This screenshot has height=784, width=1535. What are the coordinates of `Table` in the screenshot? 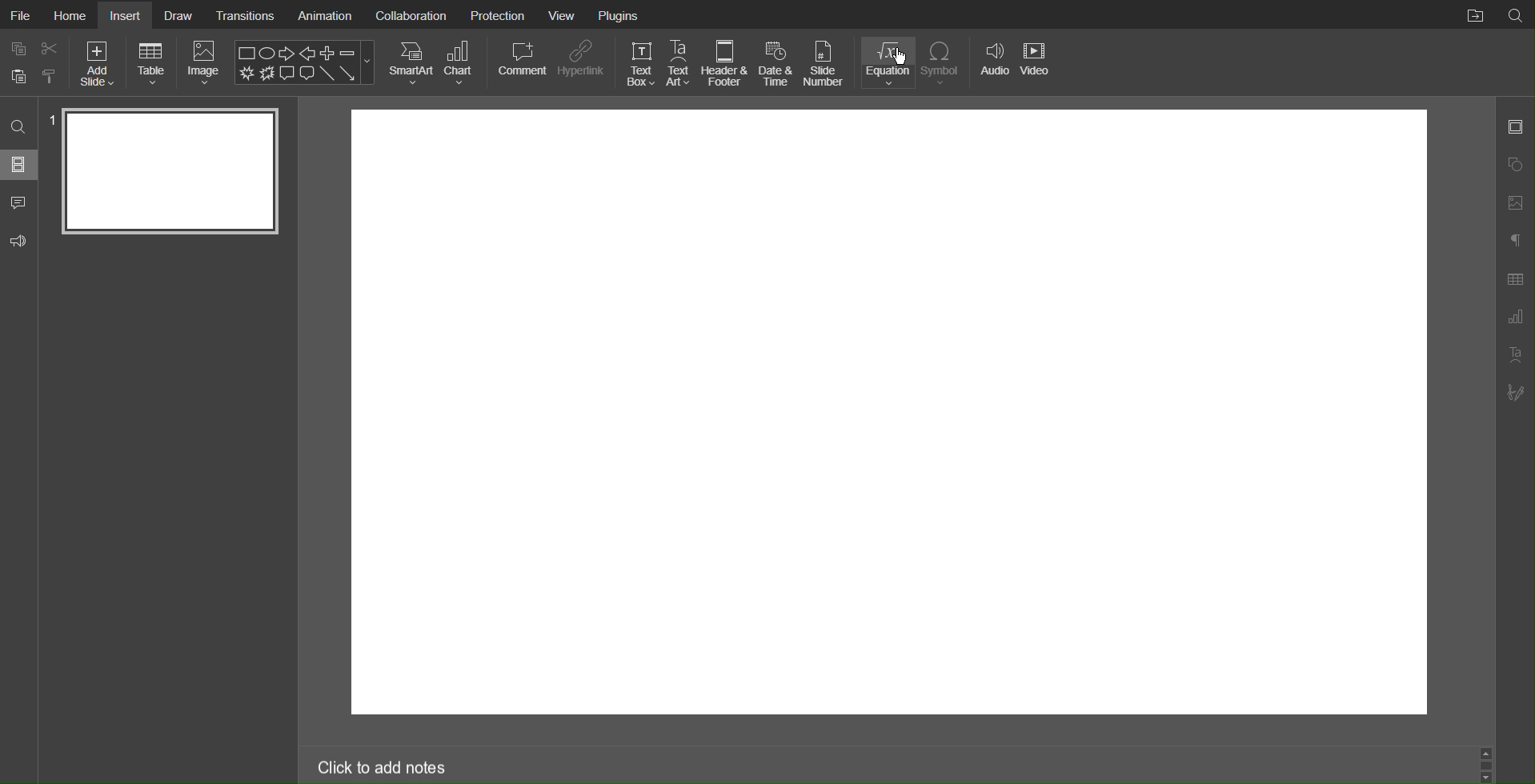 It's located at (1515, 279).